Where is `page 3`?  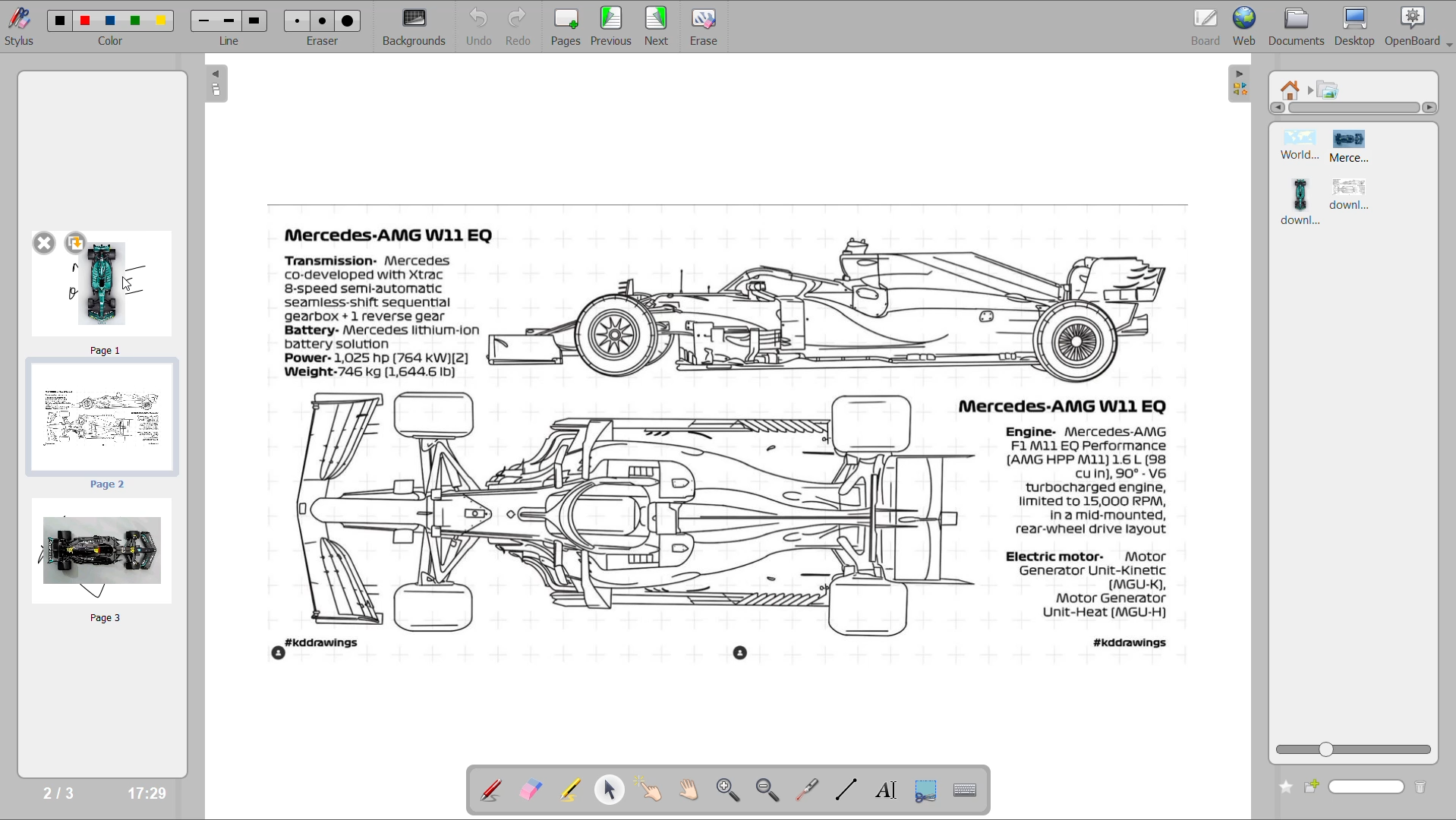
page 3 is located at coordinates (99, 560).